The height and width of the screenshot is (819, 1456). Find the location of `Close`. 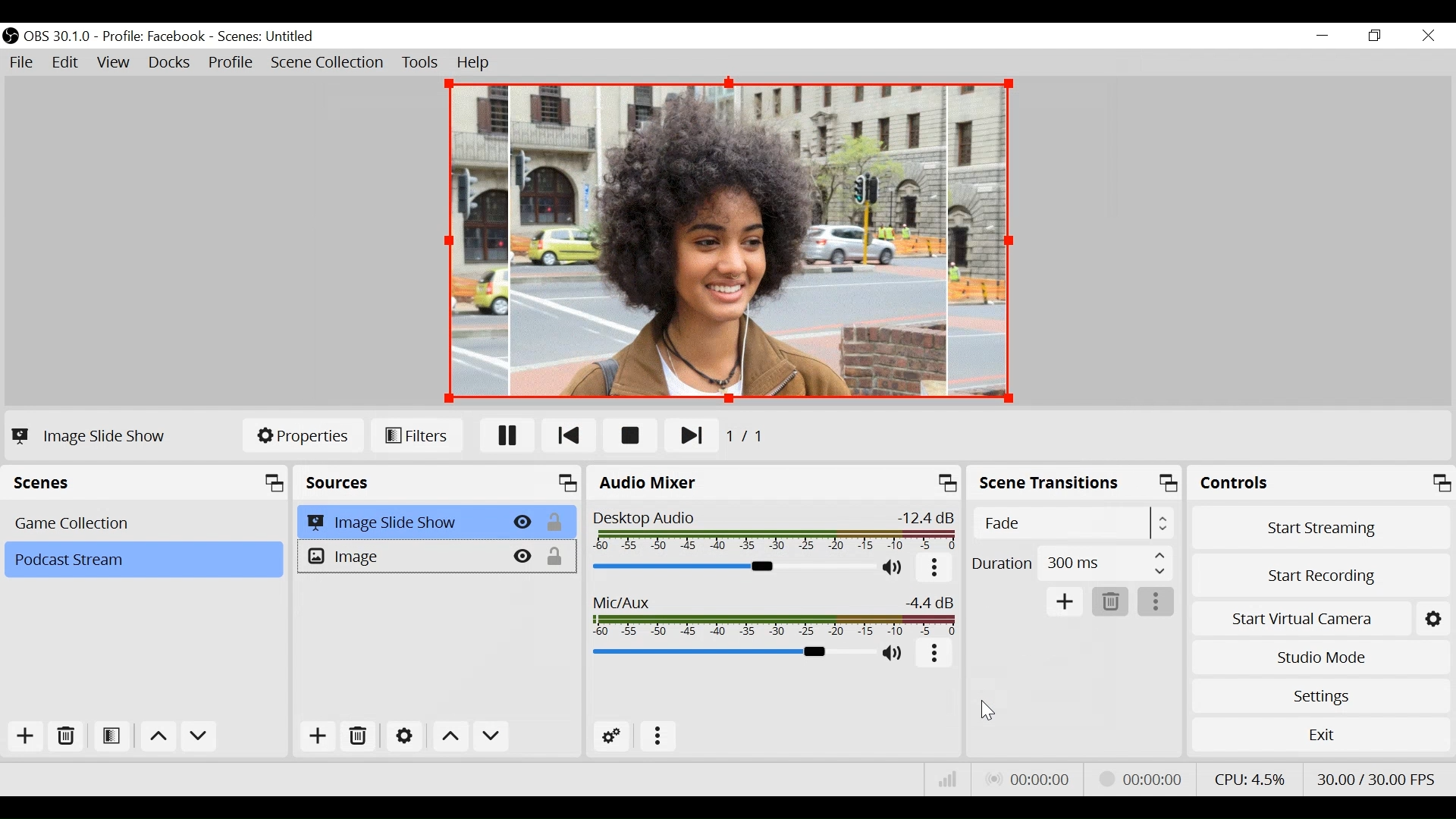

Close is located at coordinates (1427, 36).